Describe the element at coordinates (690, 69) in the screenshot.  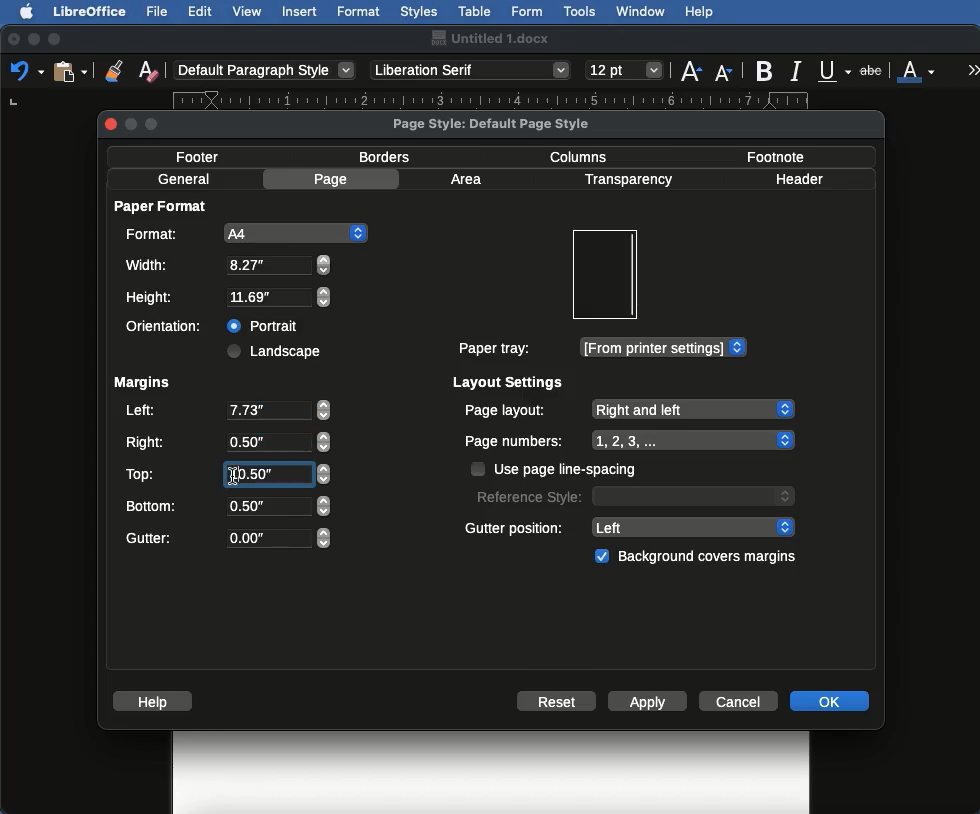
I see `Size increase` at that location.